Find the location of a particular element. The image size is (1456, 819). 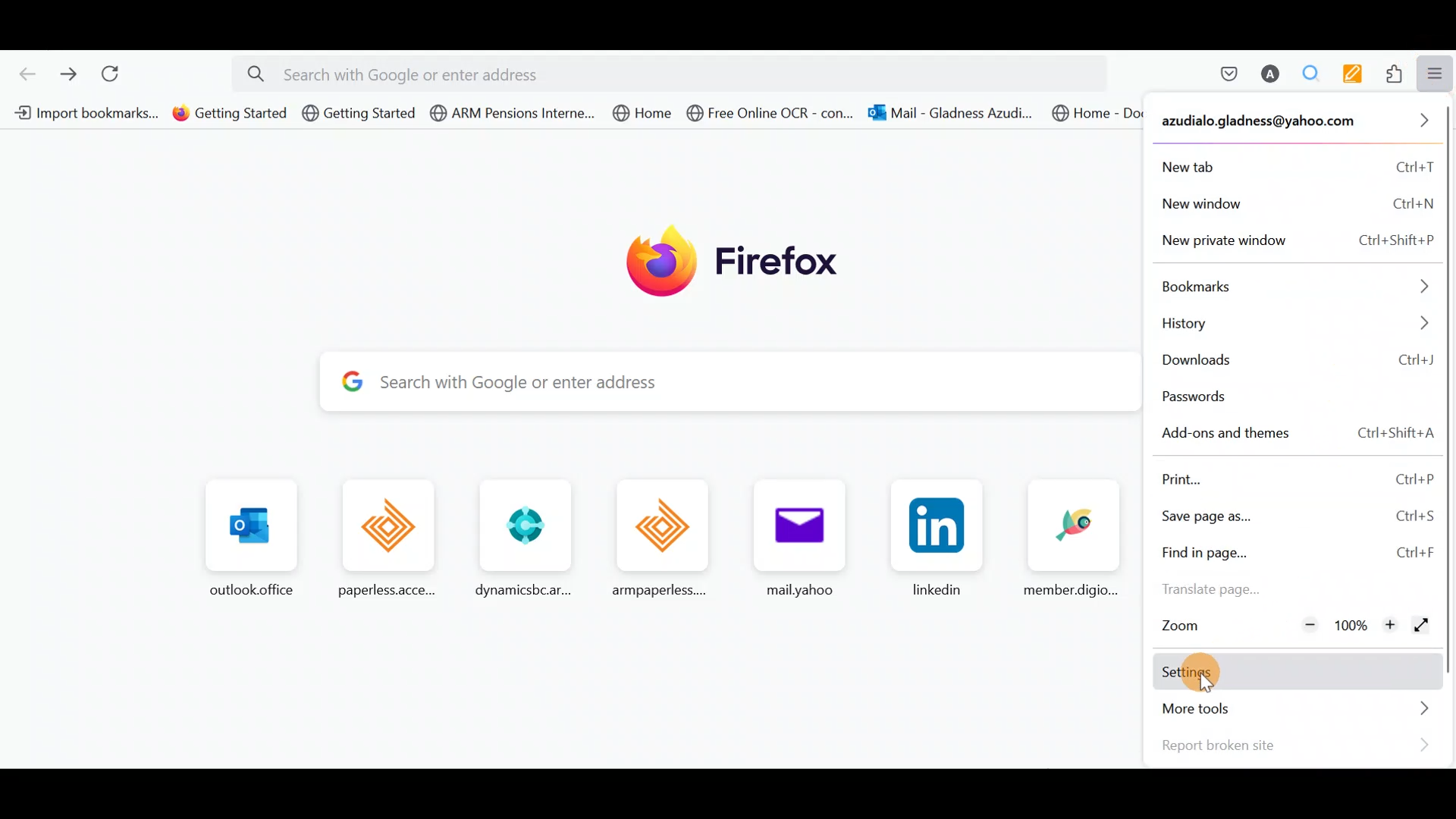

Account name is located at coordinates (1266, 76).